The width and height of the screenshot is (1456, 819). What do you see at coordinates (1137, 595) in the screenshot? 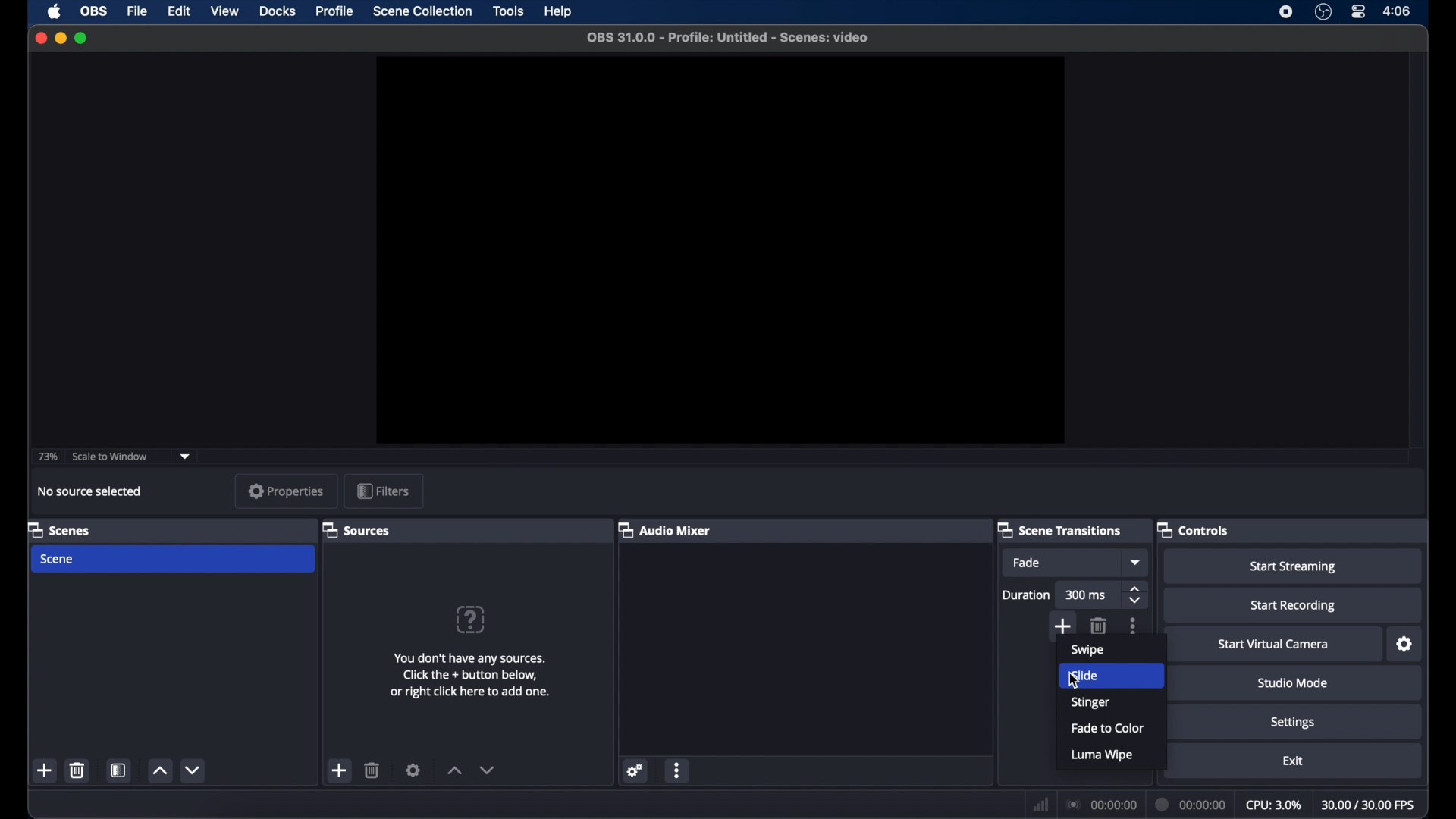
I see `stepper button` at bounding box center [1137, 595].